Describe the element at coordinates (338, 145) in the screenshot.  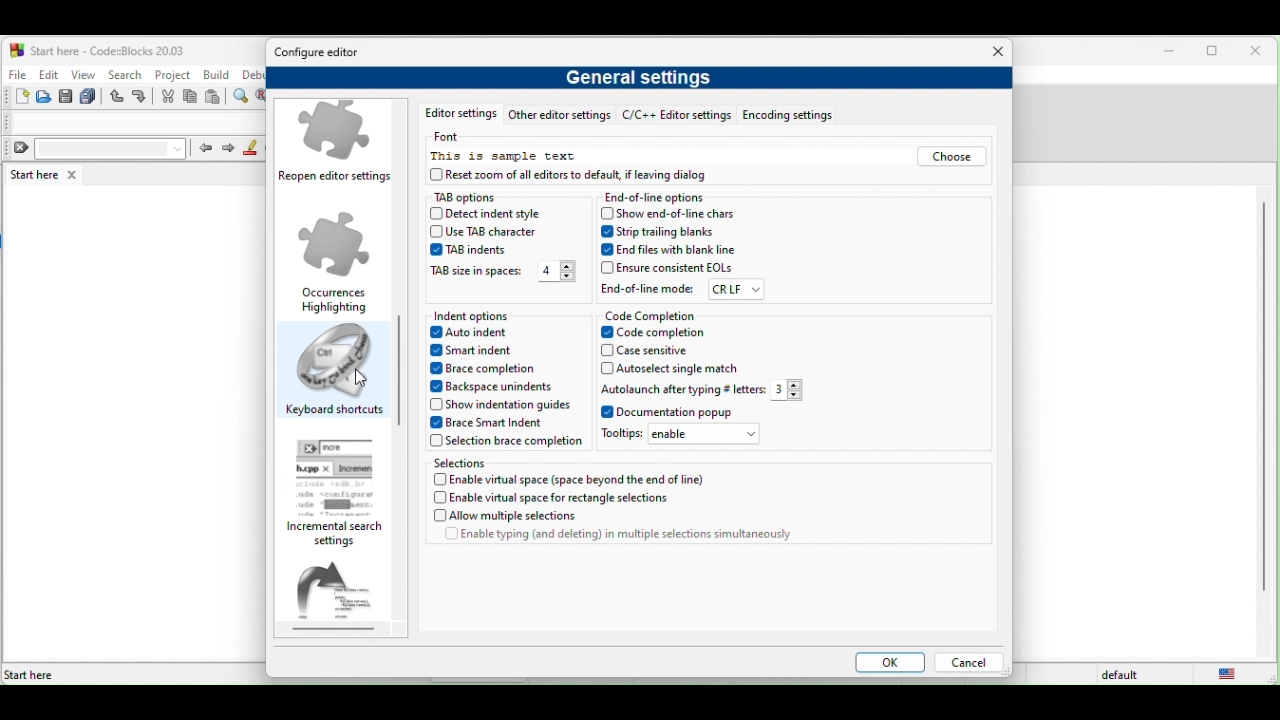
I see `reopen editor settings` at that location.